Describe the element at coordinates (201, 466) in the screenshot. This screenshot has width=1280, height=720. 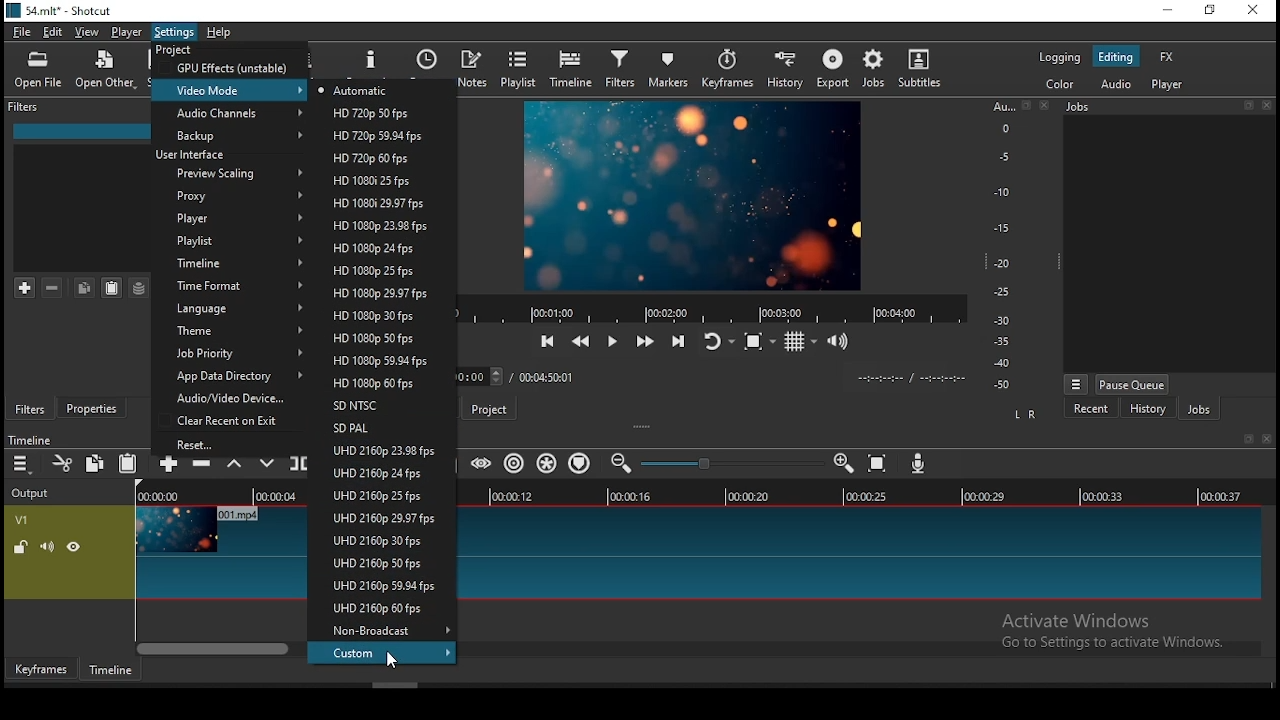
I see `ripple delete` at that location.